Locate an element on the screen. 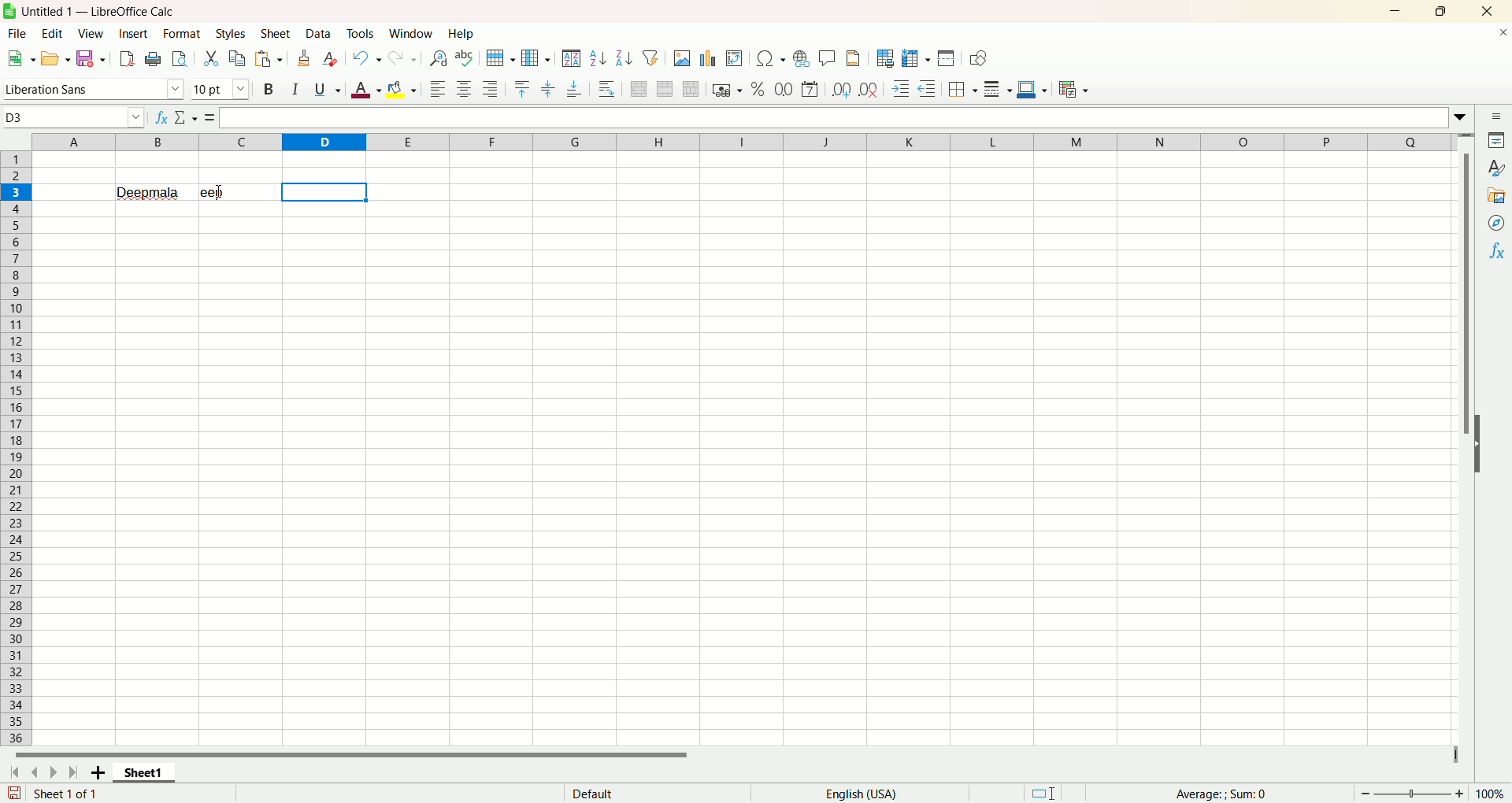  Format as percent is located at coordinates (758, 89).